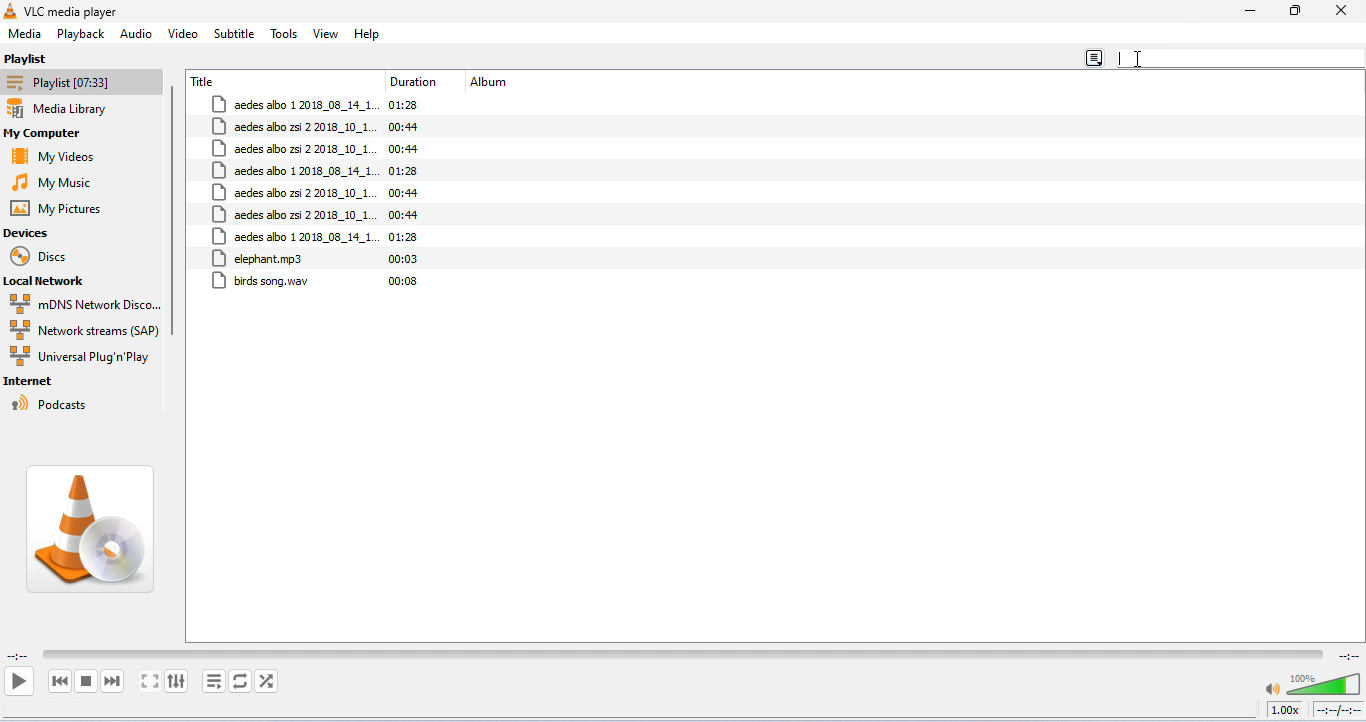 The height and width of the screenshot is (722, 1366). What do you see at coordinates (403, 150) in the screenshot?
I see `00:44` at bounding box center [403, 150].